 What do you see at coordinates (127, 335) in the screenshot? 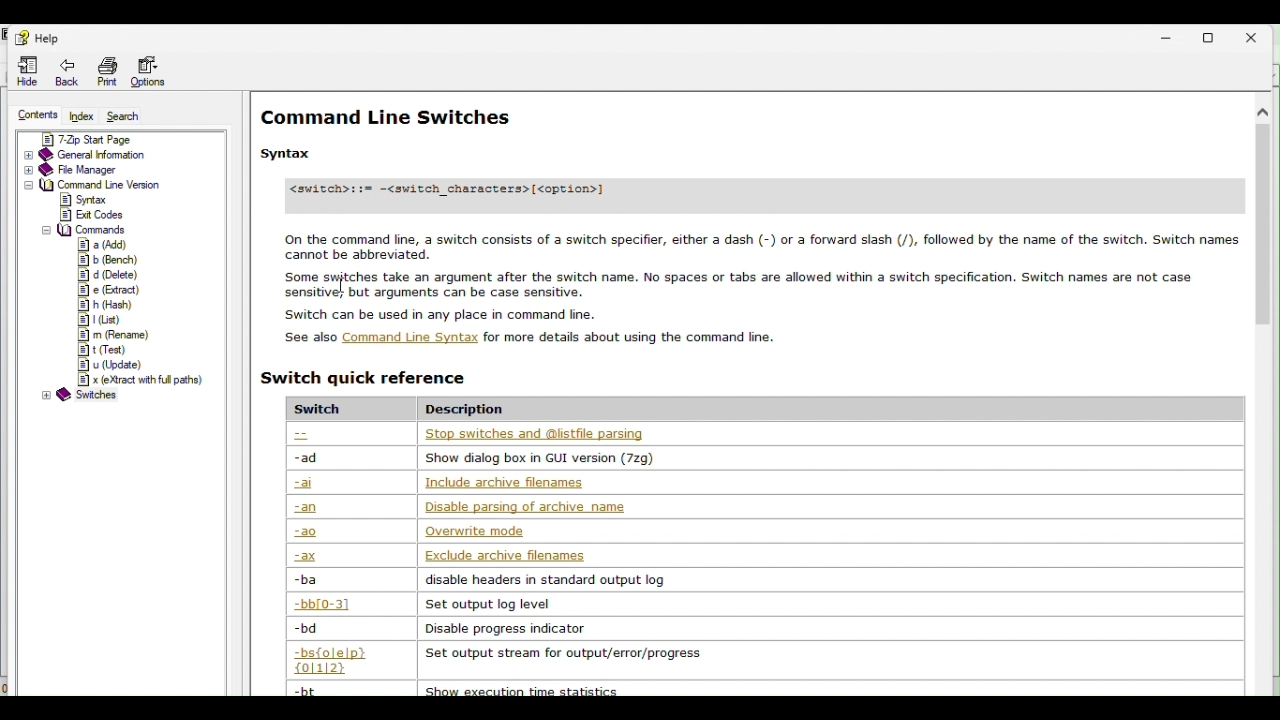
I see `m` at bounding box center [127, 335].